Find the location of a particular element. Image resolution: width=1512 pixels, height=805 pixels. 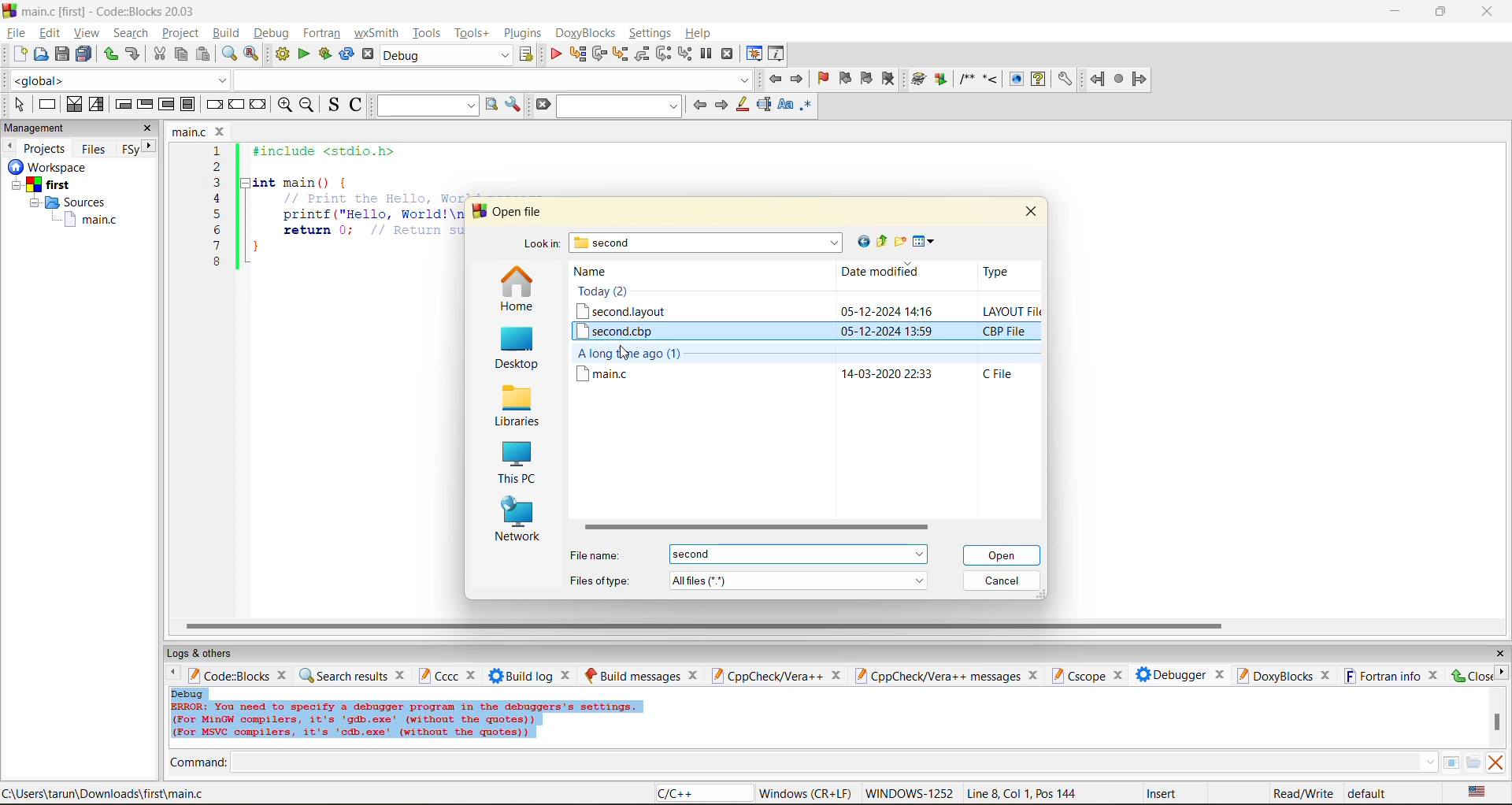

default is located at coordinates (1369, 792).